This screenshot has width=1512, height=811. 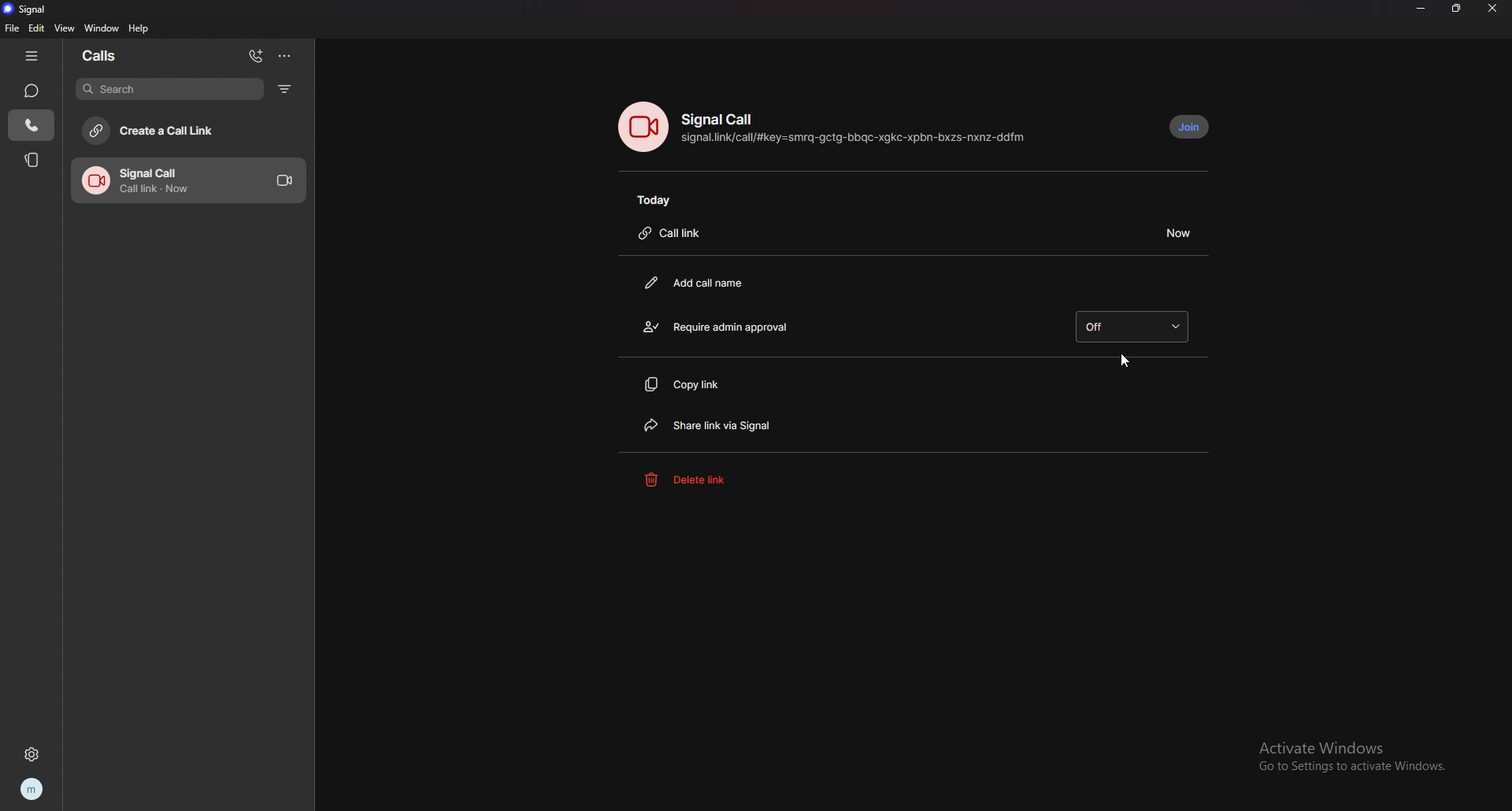 What do you see at coordinates (691, 386) in the screenshot?
I see `copy link` at bounding box center [691, 386].